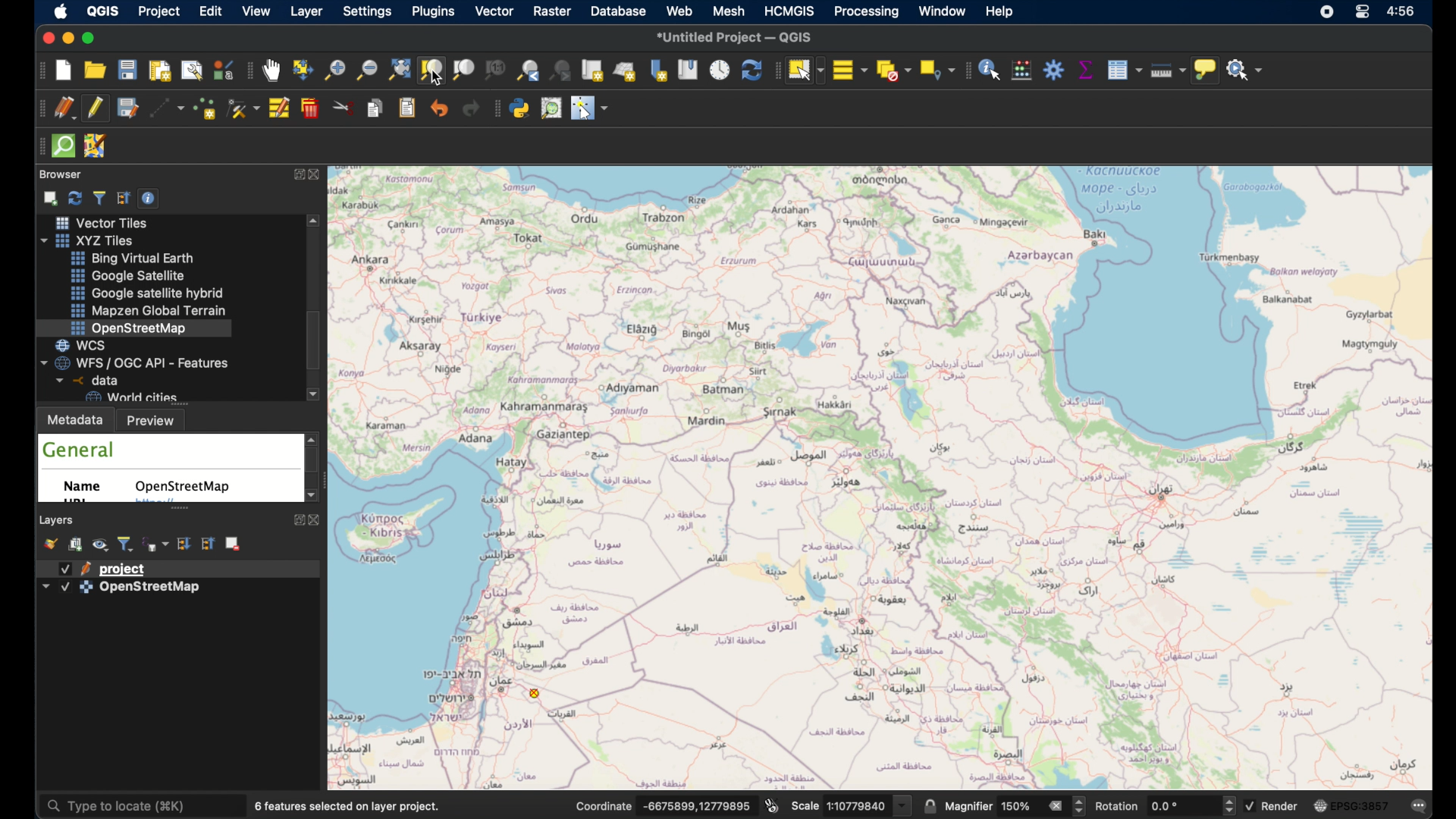 Image resolution: width=1456 pixels, height=819 pixels. I want to click on identify feature, so click(990, 70).